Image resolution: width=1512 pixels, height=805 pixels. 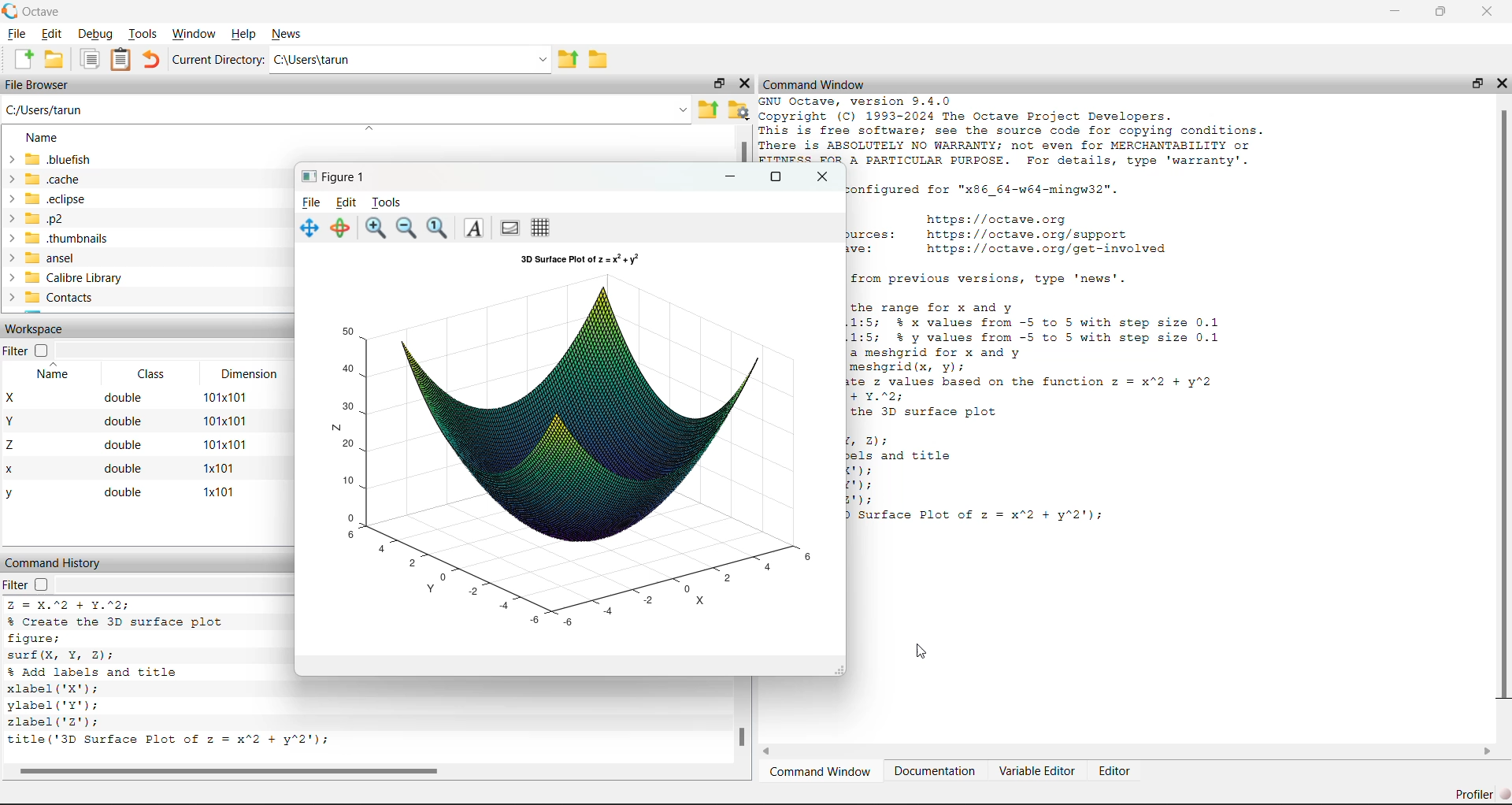 What do you see at coordinates (73, 603) in the screenshot?
I see `z = x.^2 + y.^2;` at bounding box center [73, 603].